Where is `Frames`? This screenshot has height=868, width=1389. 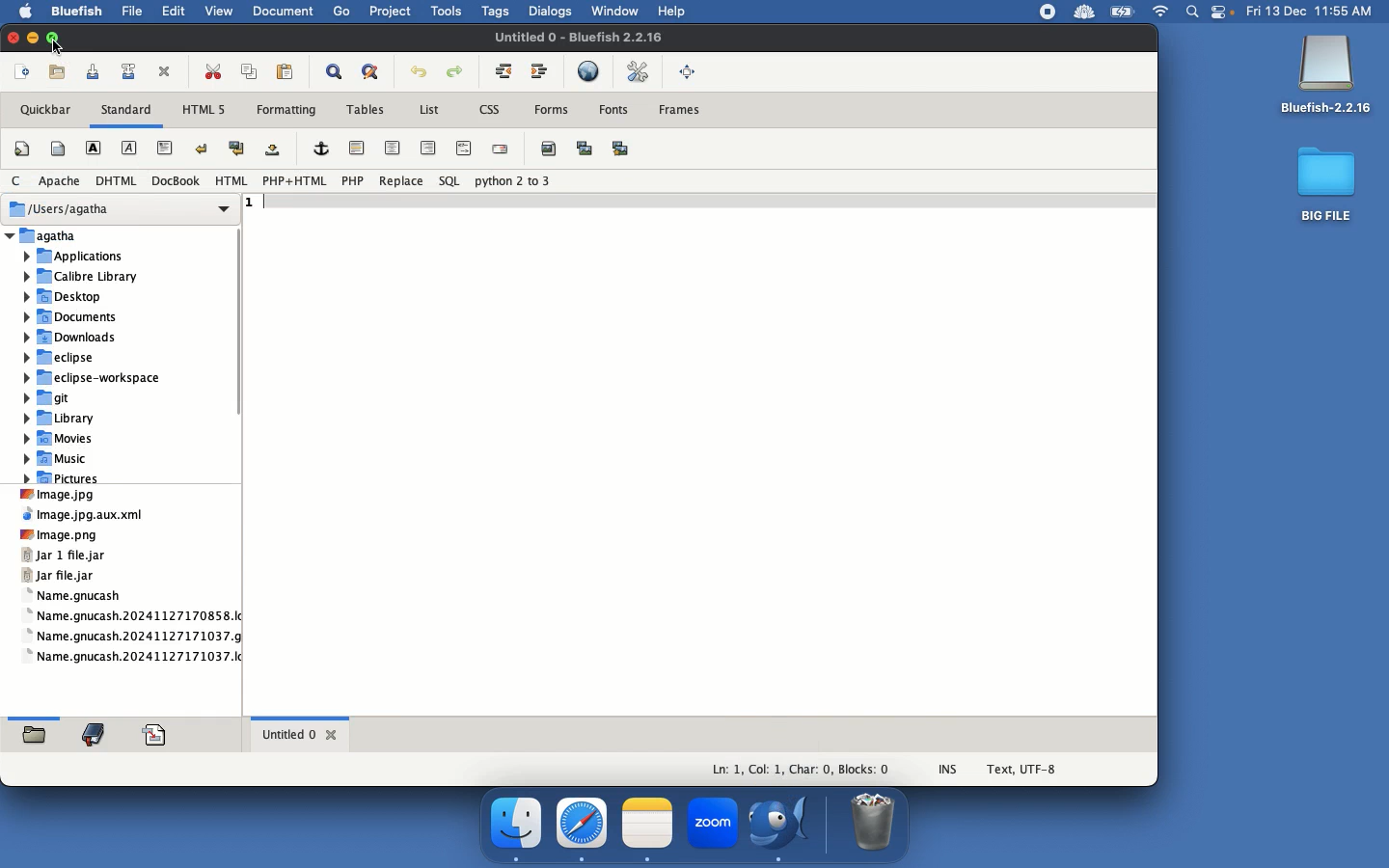 Frames is located at coordinates (687, 109).